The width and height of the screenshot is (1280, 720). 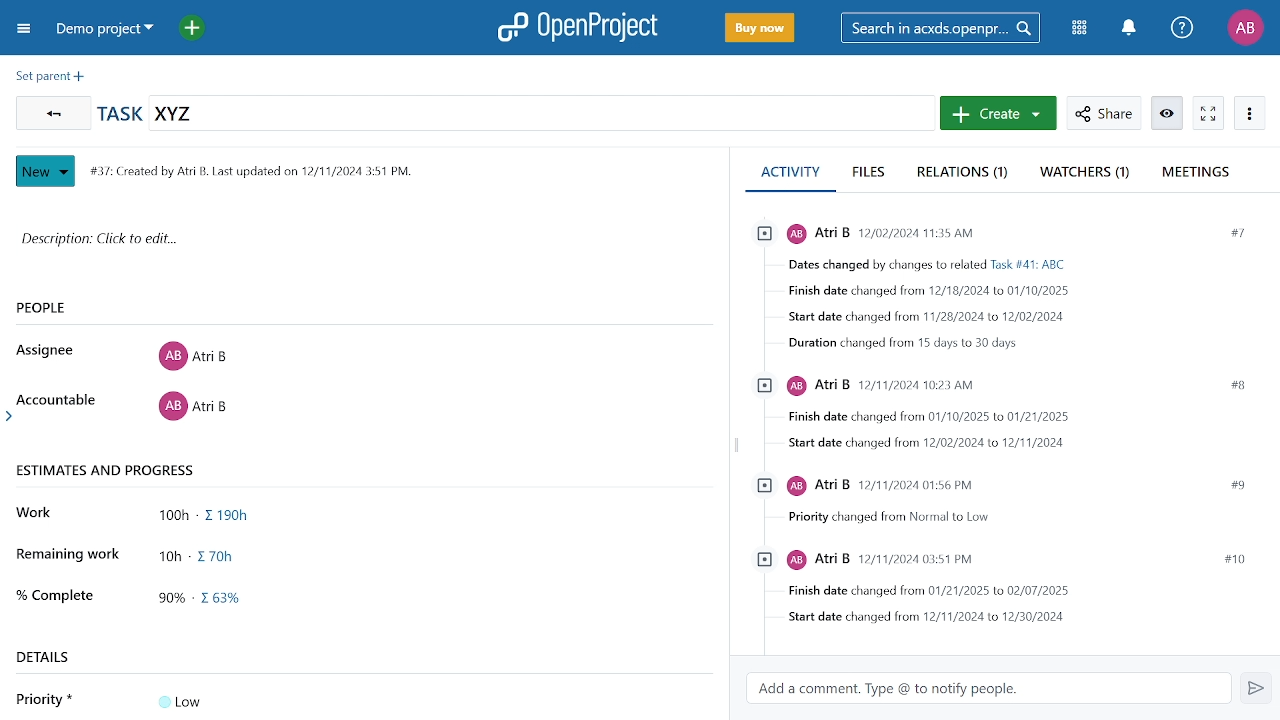 I want to click on #37: Created by Atri B. Last updated on 12/11/2024 3:51 PM., so click(x=267, y=172).